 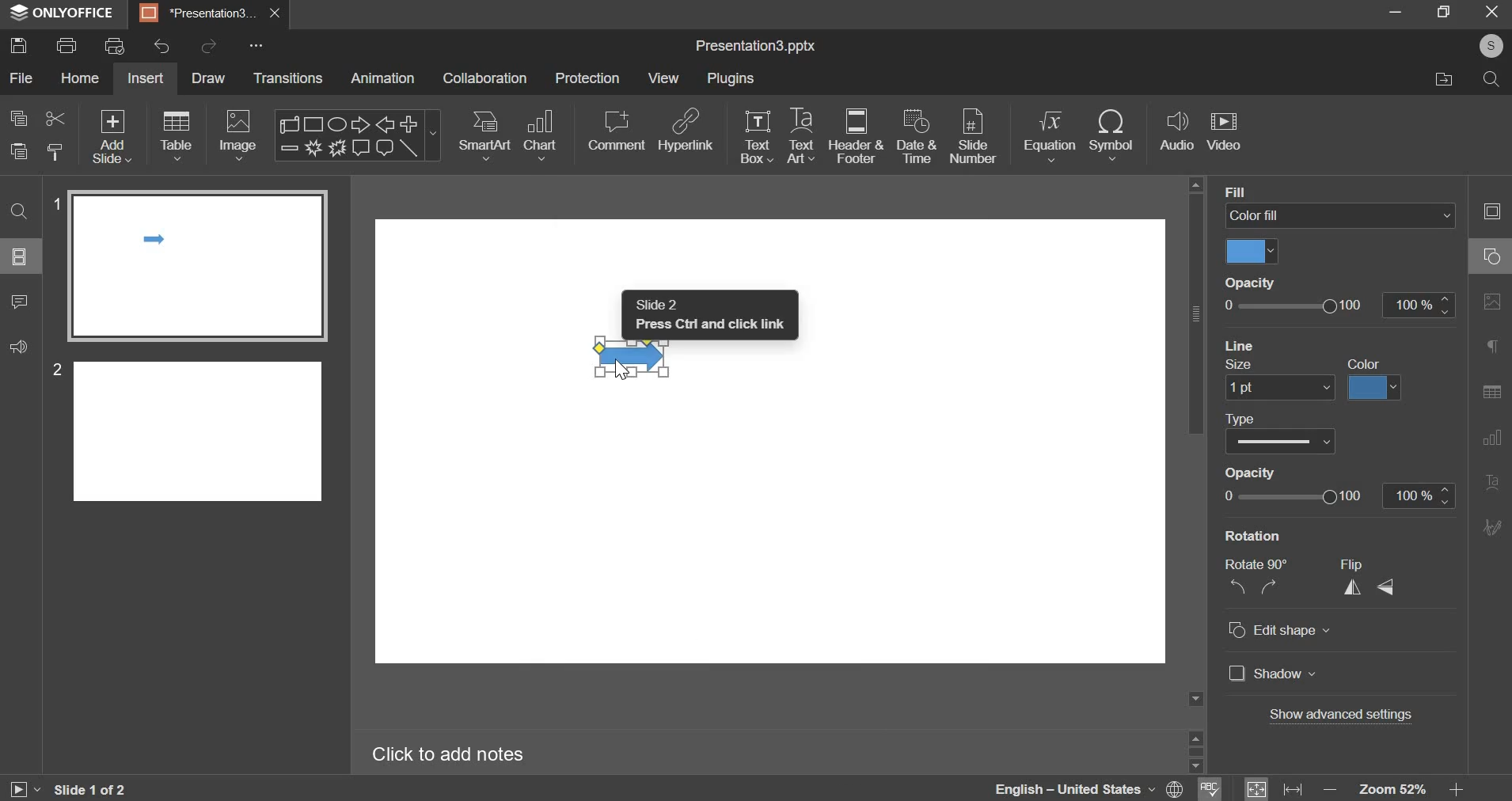 I want to click on paste, so click(x=18, y=151).